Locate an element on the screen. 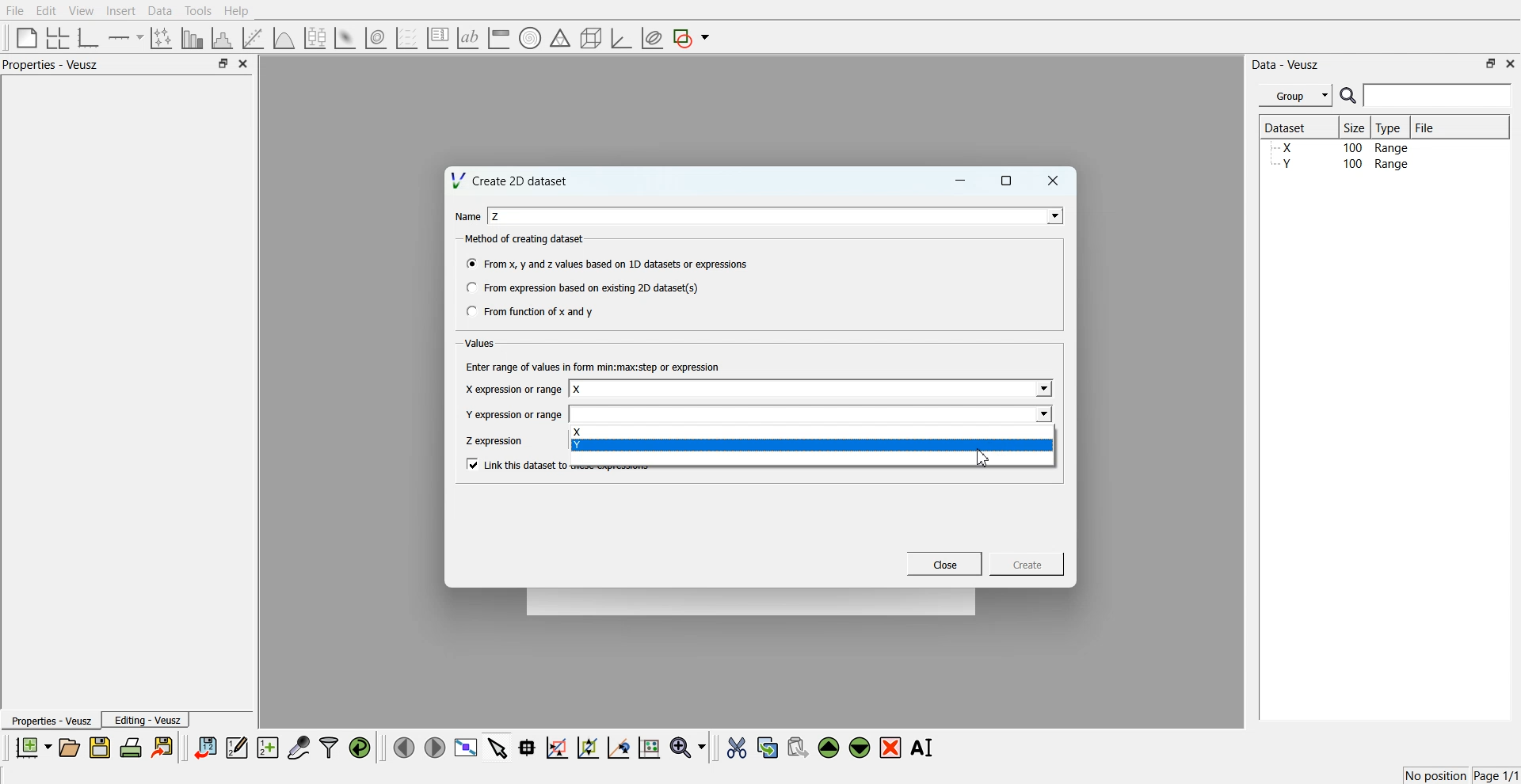 The width and height of the screenshot is (1521, 784). New document is located at coordinates (32, 747).